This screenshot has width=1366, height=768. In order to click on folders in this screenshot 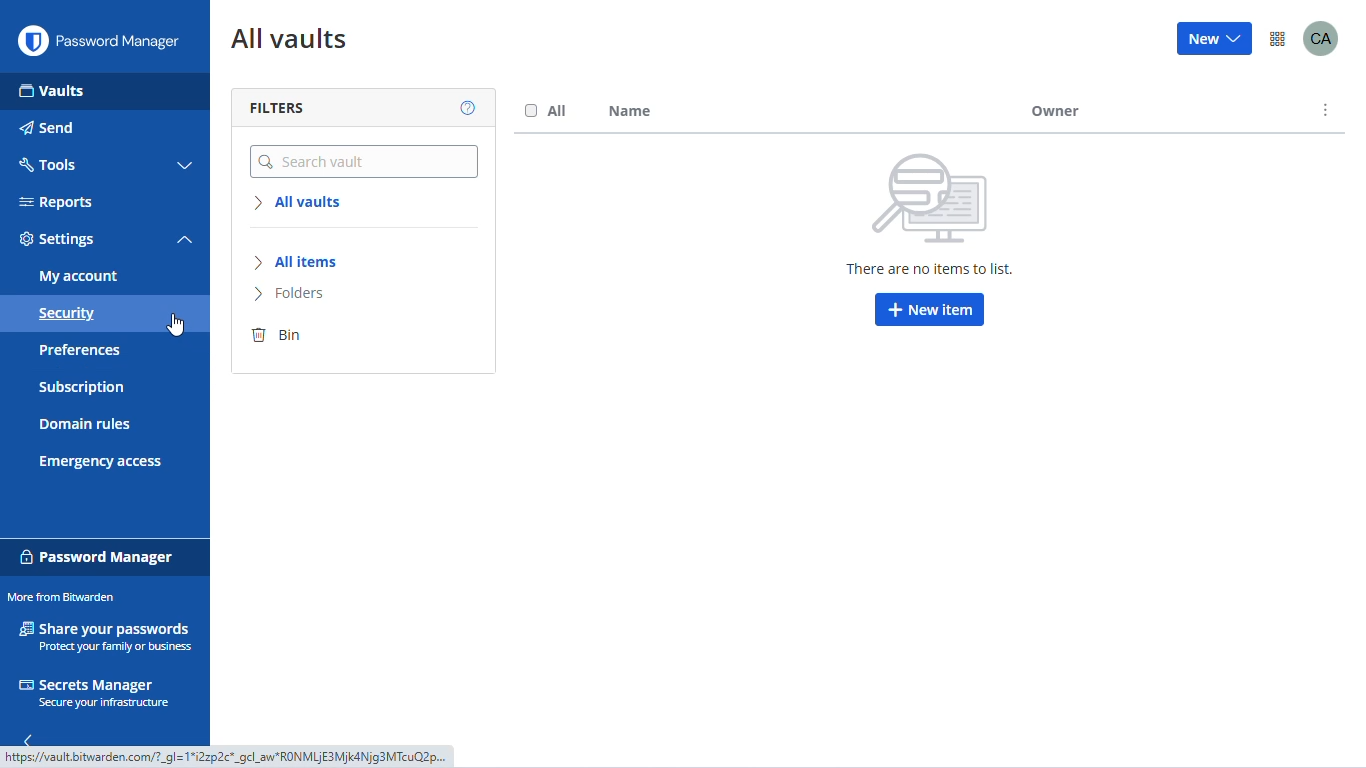, I will do `click(292, 294)`.